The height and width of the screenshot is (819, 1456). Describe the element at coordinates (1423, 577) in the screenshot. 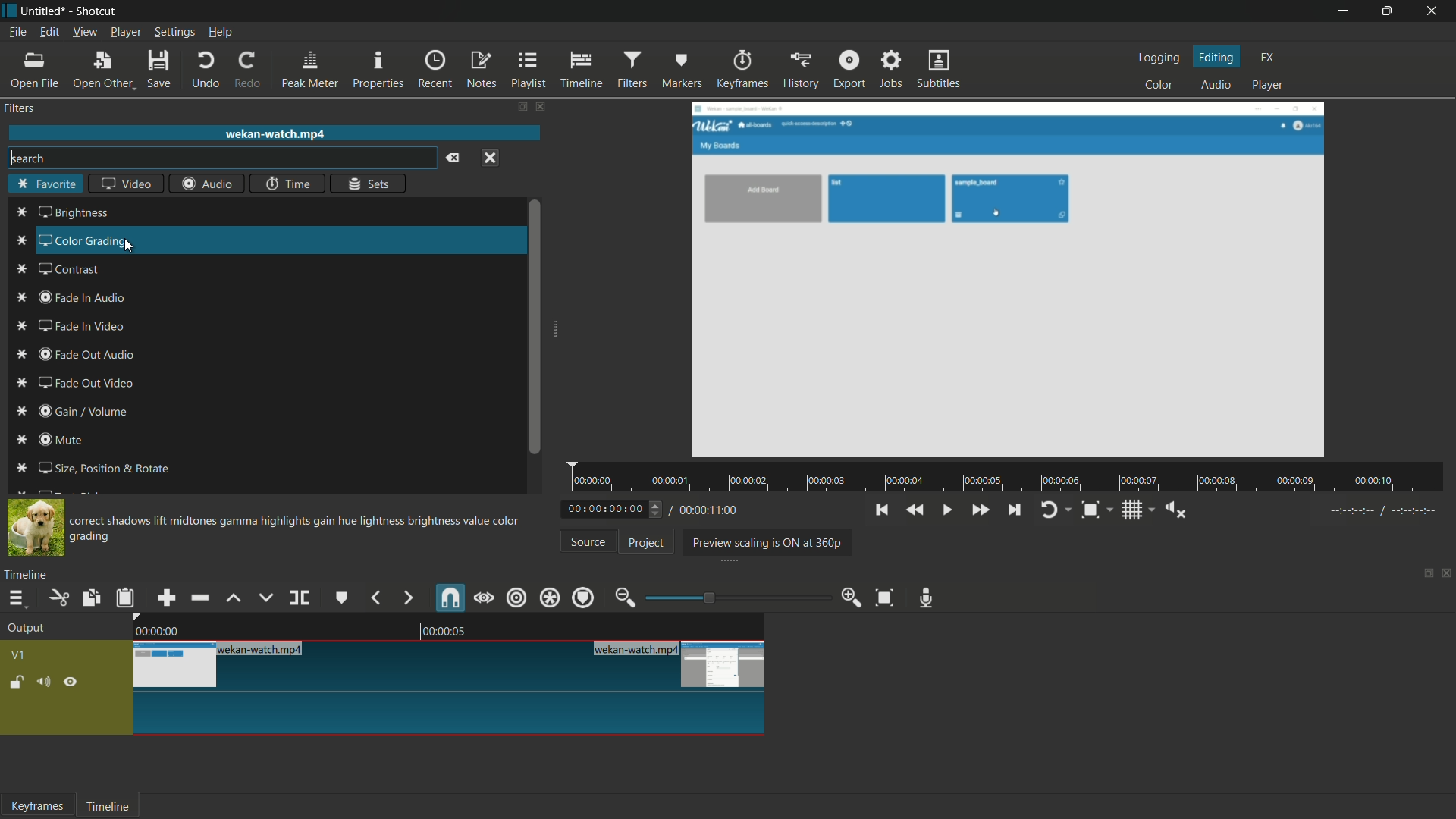

I see `change layout` at that location.